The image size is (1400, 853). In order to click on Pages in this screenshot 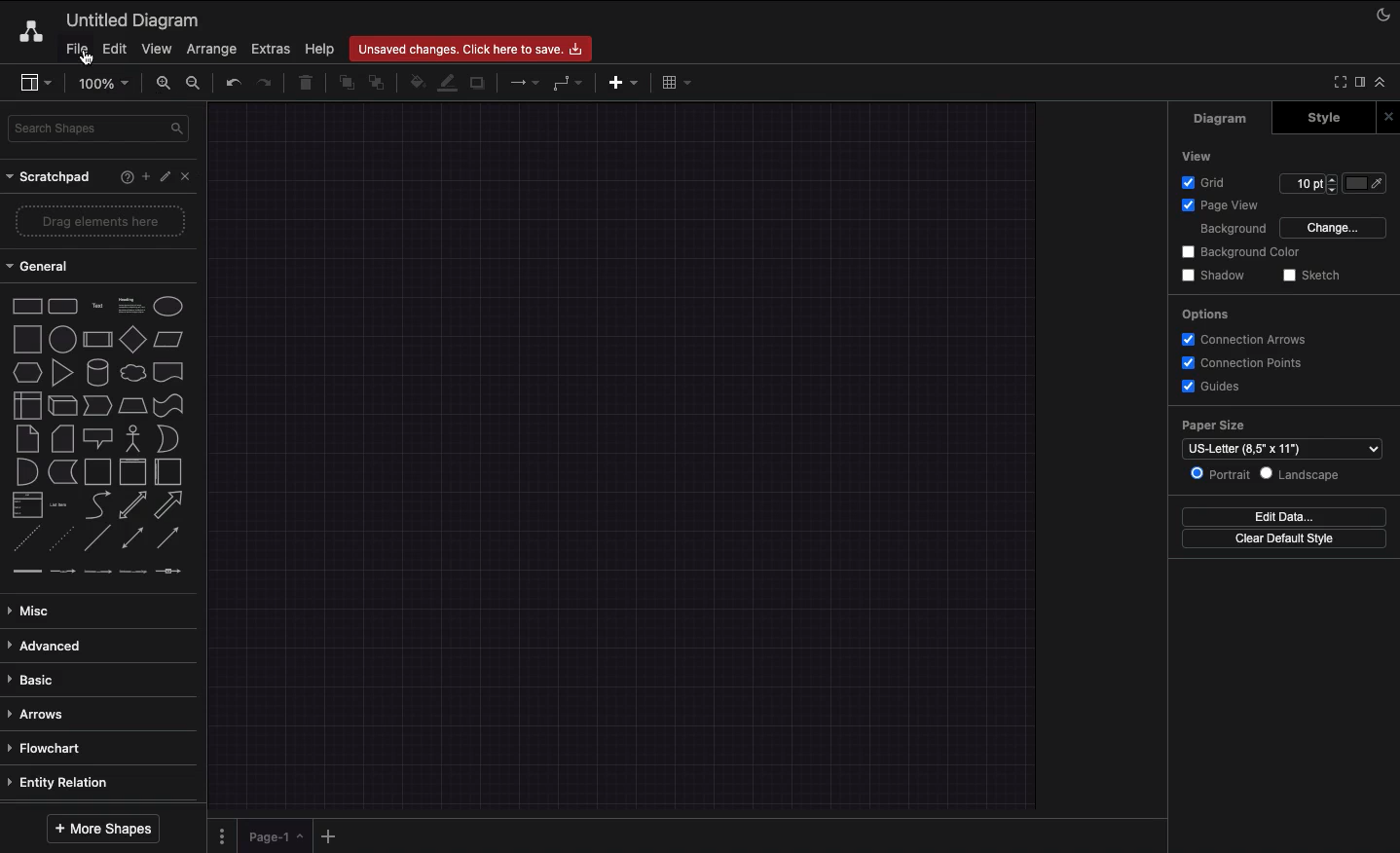, I will do `click(218, 836)`.